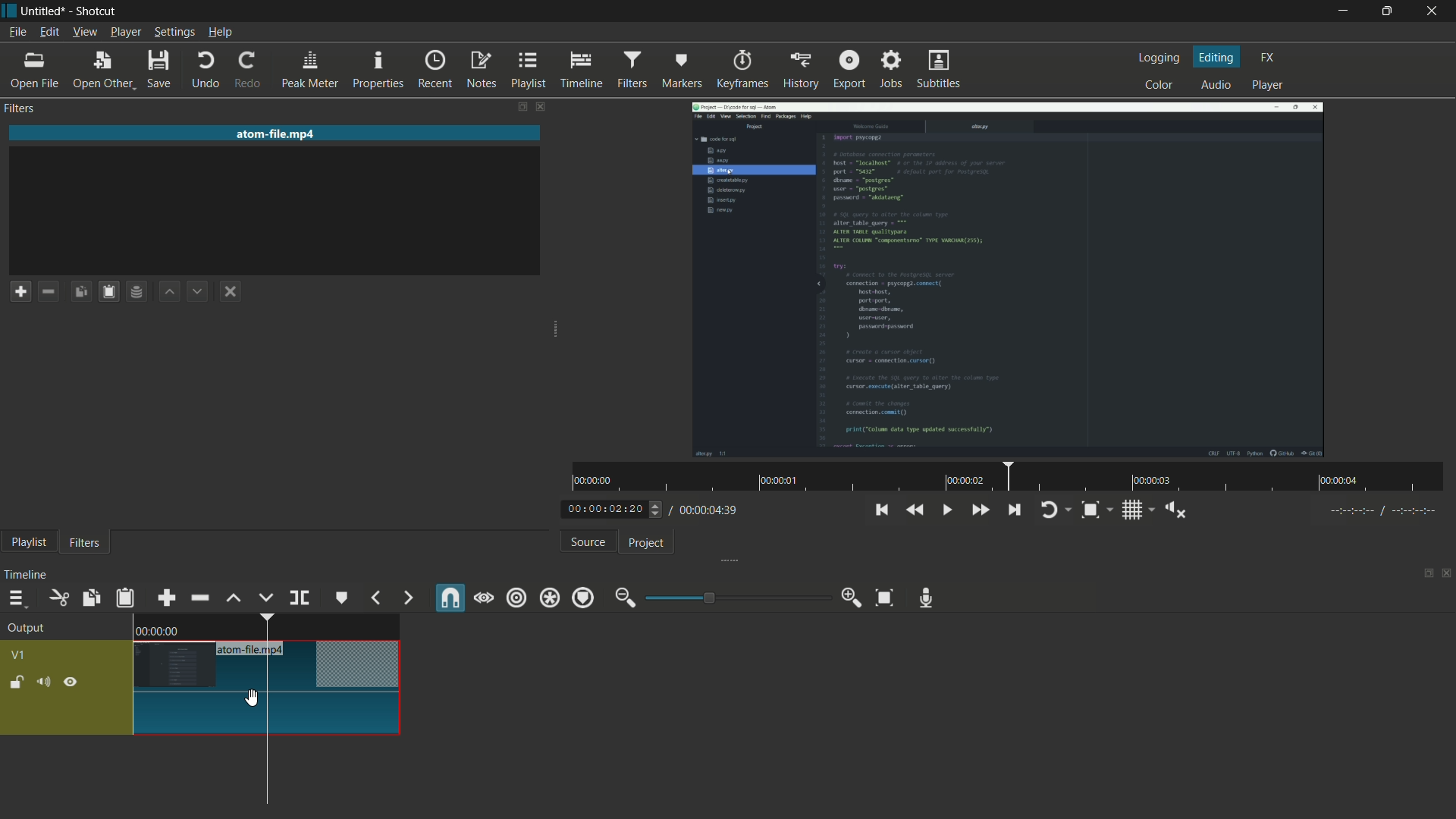  I want to click on video in timeline, so click(268, 675).